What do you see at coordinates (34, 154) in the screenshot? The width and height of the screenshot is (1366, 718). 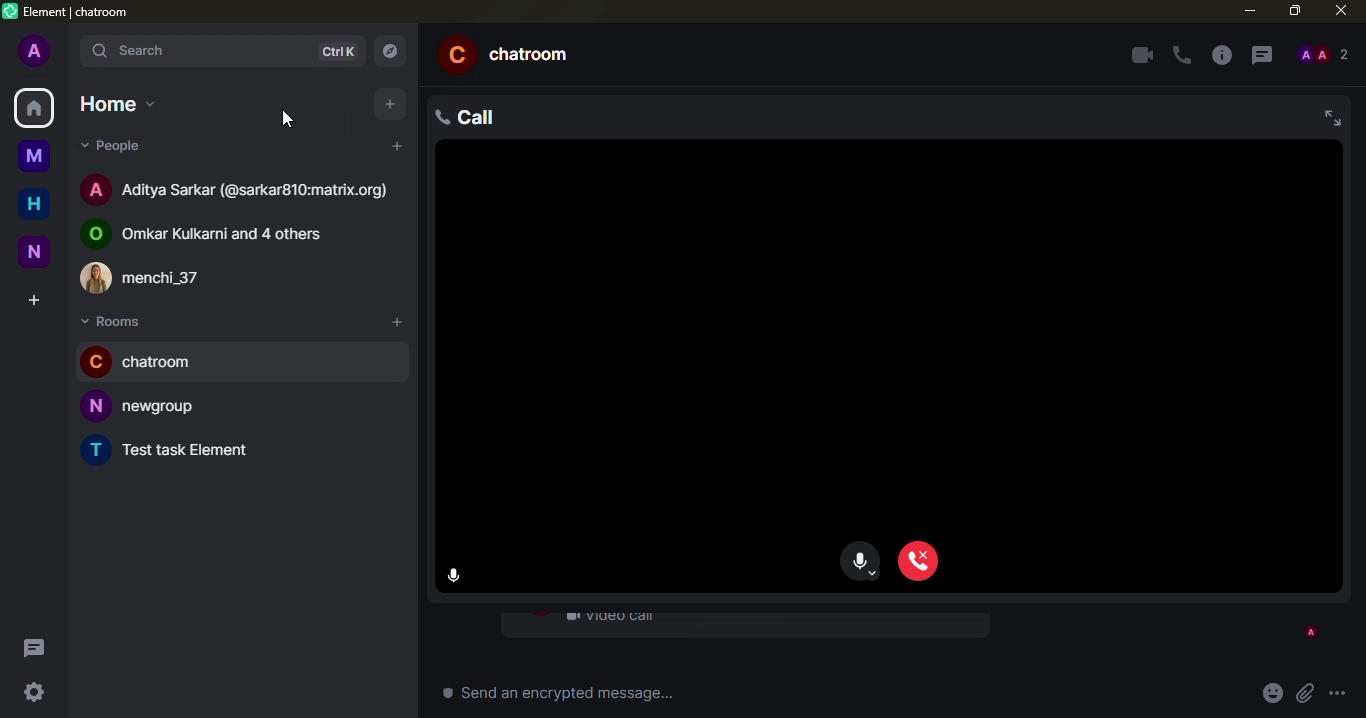 I see `myspace` at bounding box center [34, 154].